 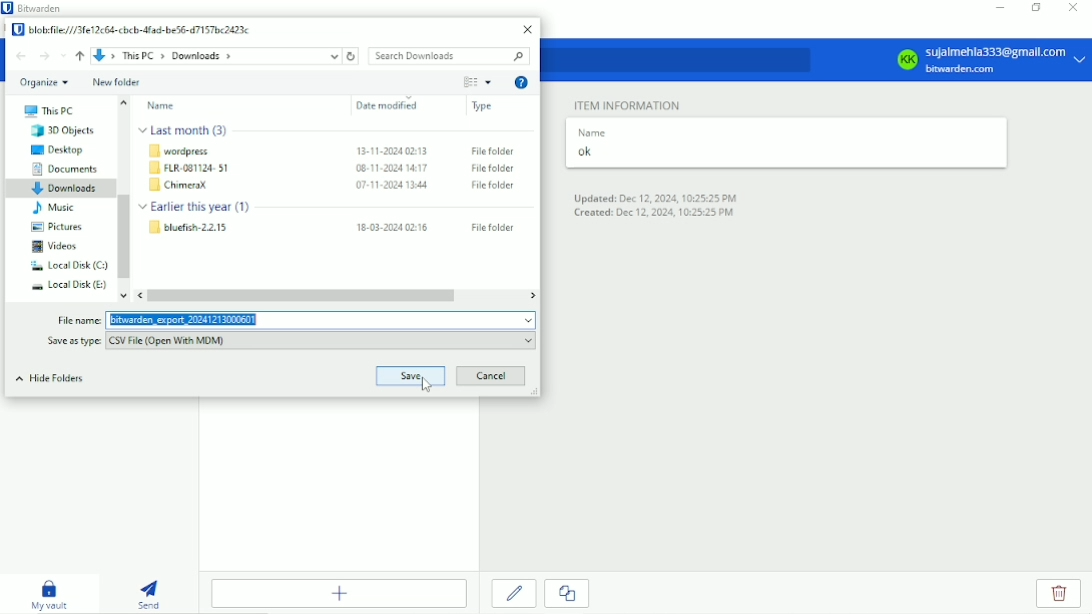 What do you see at coordinates (117, 82) in the screenshot?
I see `New folder` at bounding box center [117, 82].